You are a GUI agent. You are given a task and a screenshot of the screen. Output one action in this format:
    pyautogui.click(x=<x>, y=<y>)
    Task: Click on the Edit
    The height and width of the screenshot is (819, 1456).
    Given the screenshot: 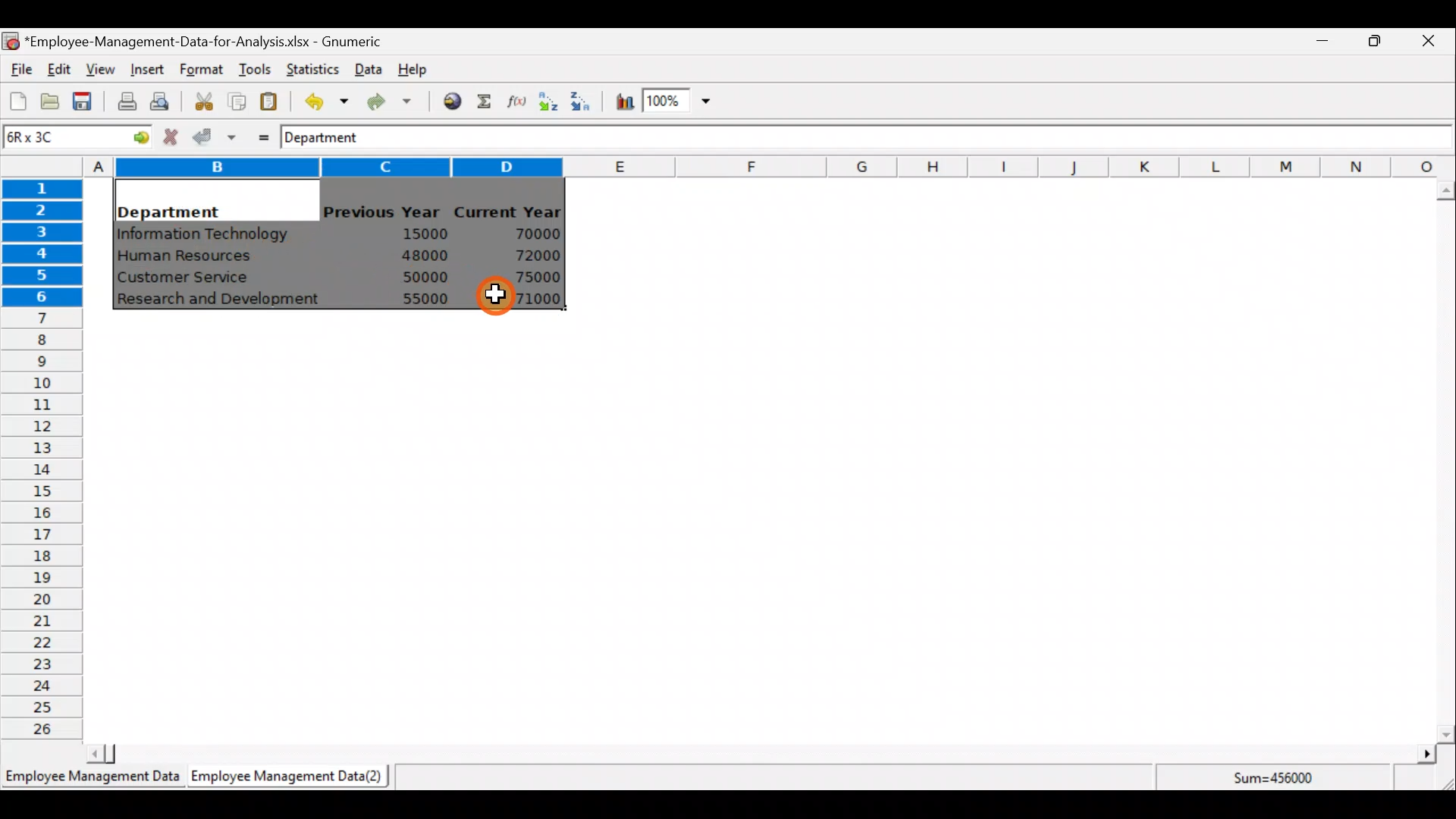 What is the action you would take?
    pyautogui.click(x=60, y=71)
    